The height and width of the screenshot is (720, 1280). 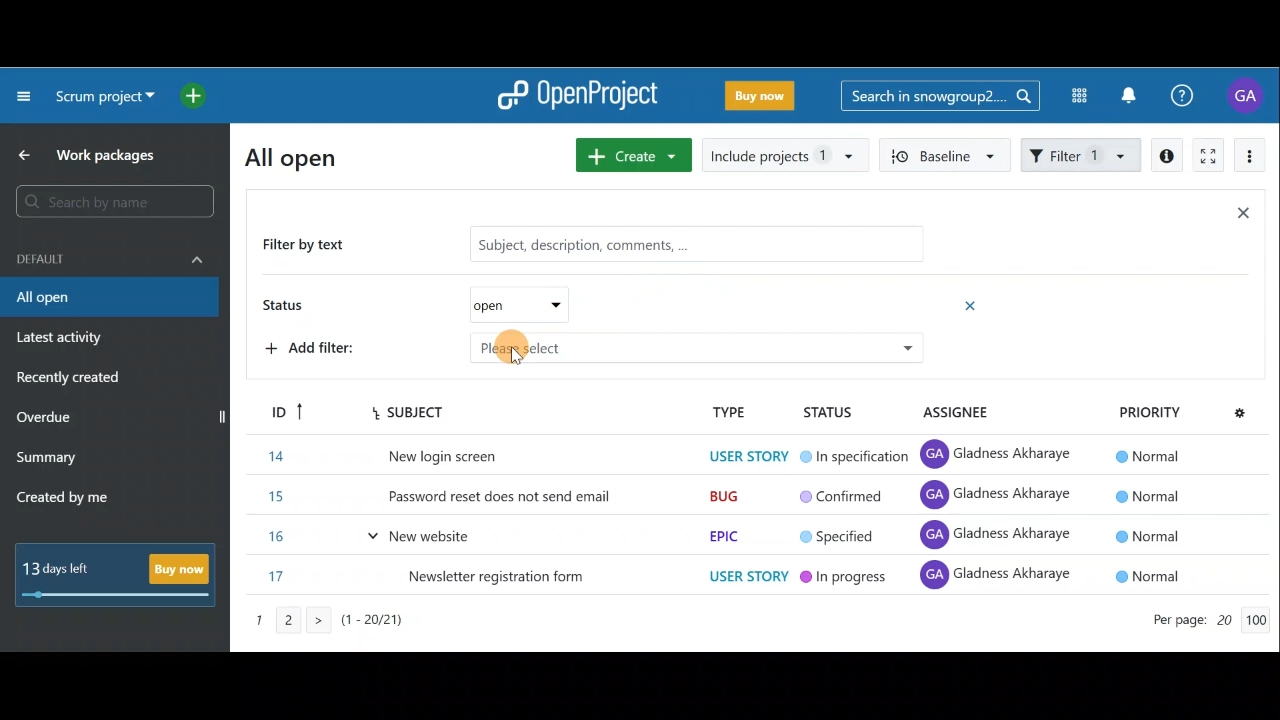 What do you see at coordinates (727, 536) in the screenshot?
I see `Item 8` at bounding box center [727, 536].